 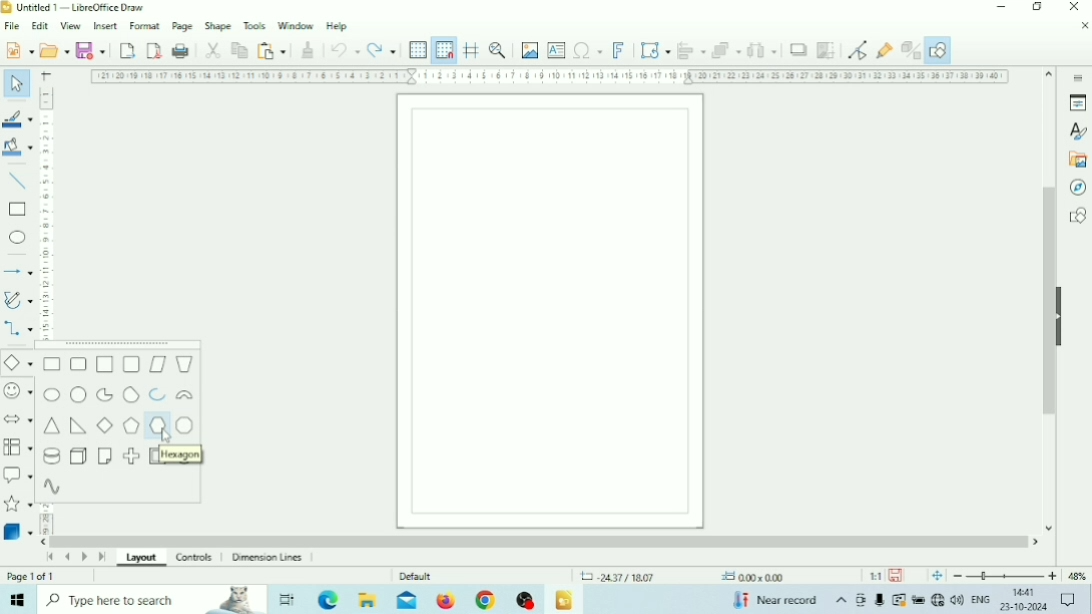 What do you see at coordinates (67, 557) in the screenshot?
I see `Scroll to previous page` at bounding box center [67, 557].